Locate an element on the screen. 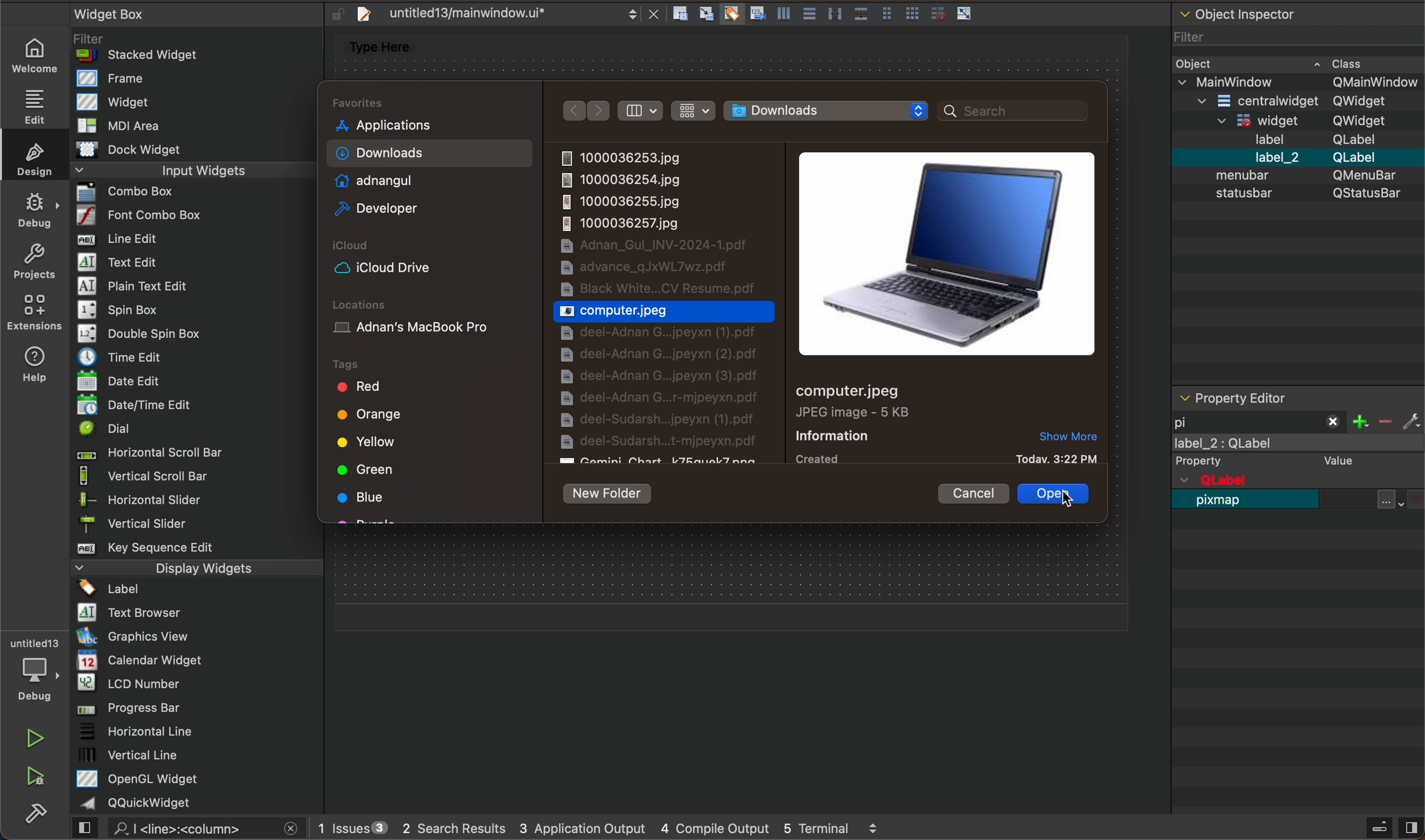  locations is located at coordinates (370, 299).